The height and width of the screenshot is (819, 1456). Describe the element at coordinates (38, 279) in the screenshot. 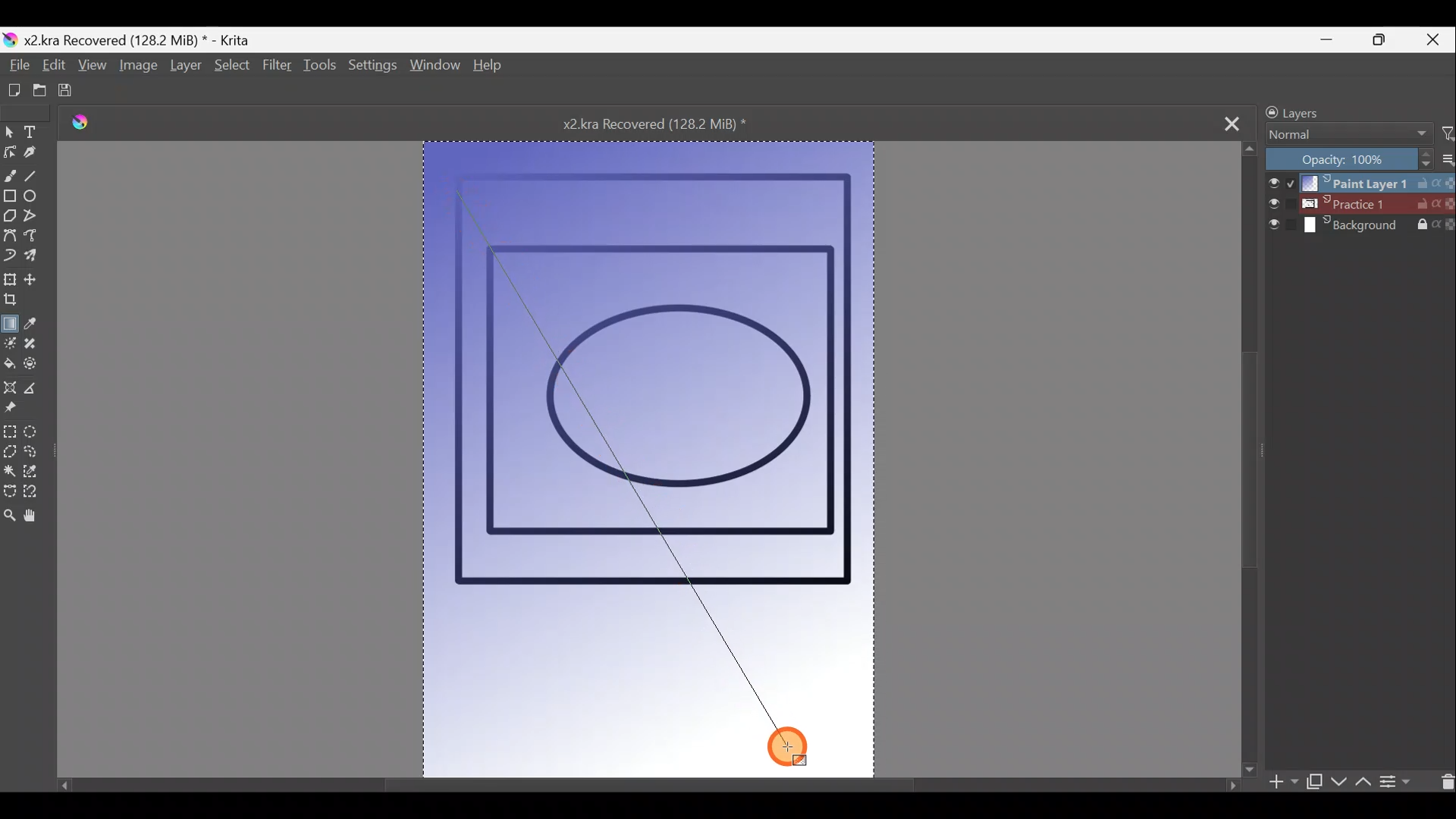

I see `Move a layer` at that location.